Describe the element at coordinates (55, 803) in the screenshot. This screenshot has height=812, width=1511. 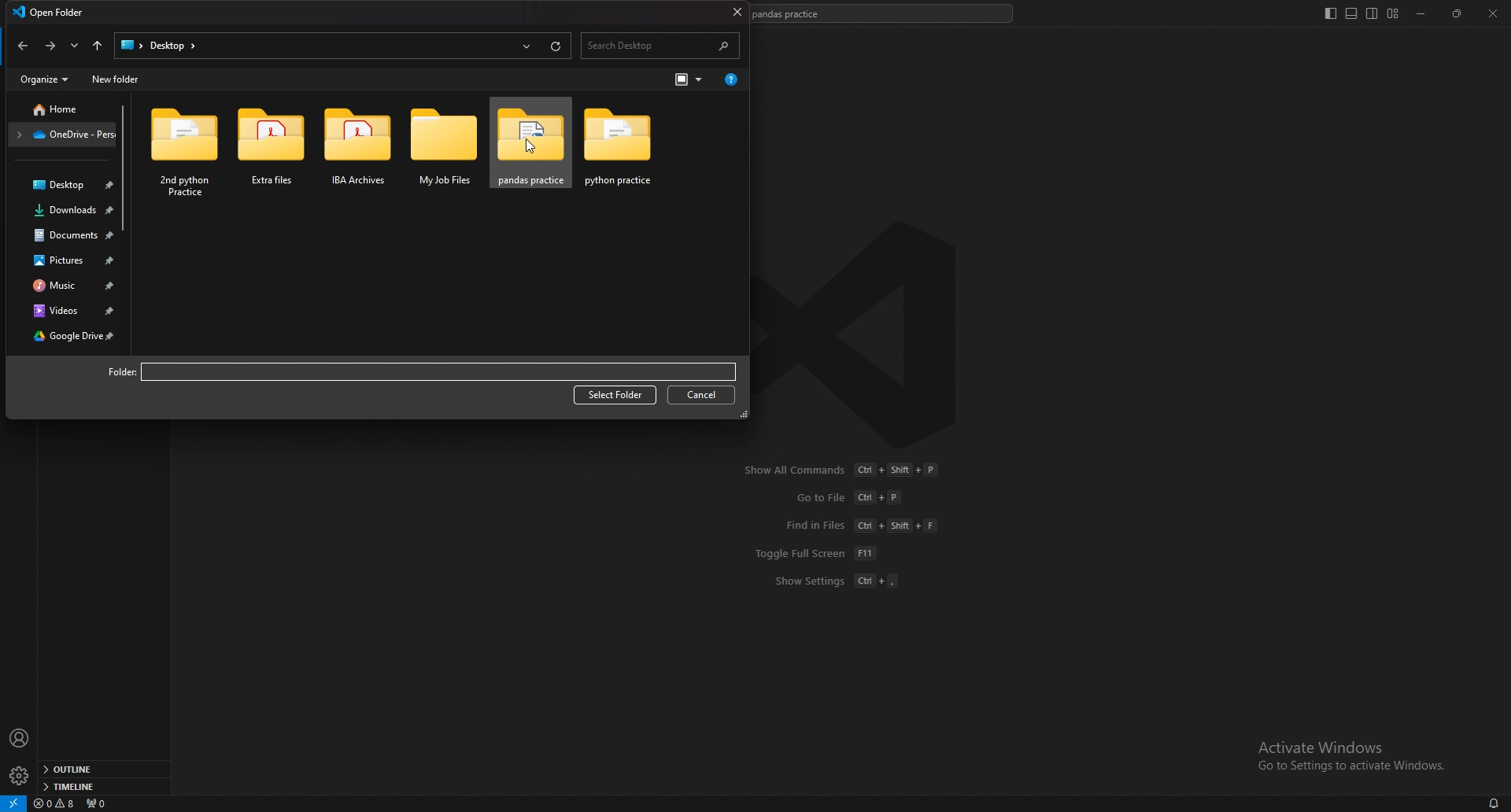
I see `warnings` at that location.